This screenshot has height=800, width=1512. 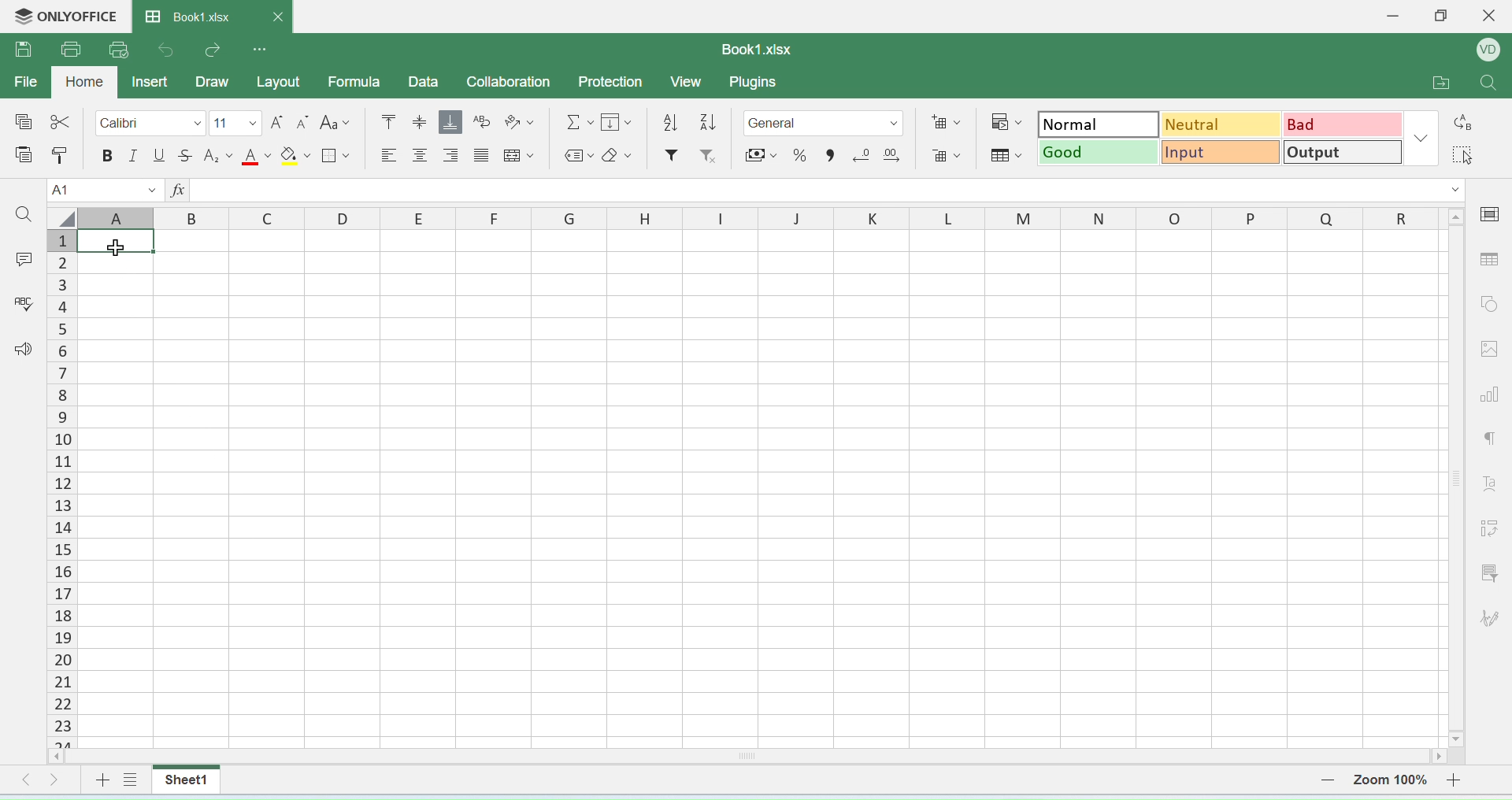 I want to click on filter, so click(x=1492, y=574).